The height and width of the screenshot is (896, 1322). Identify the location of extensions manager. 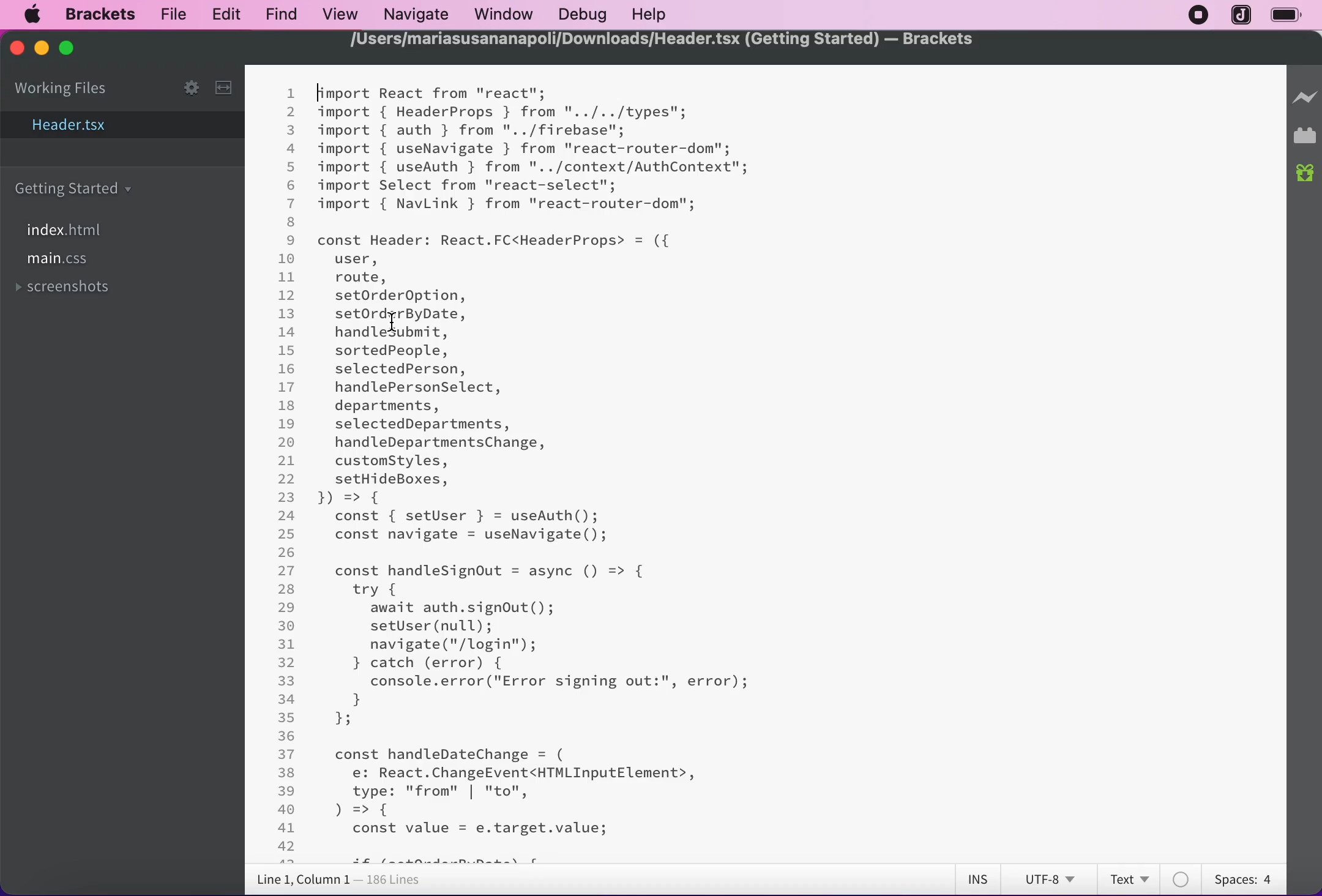
(1306, 136).